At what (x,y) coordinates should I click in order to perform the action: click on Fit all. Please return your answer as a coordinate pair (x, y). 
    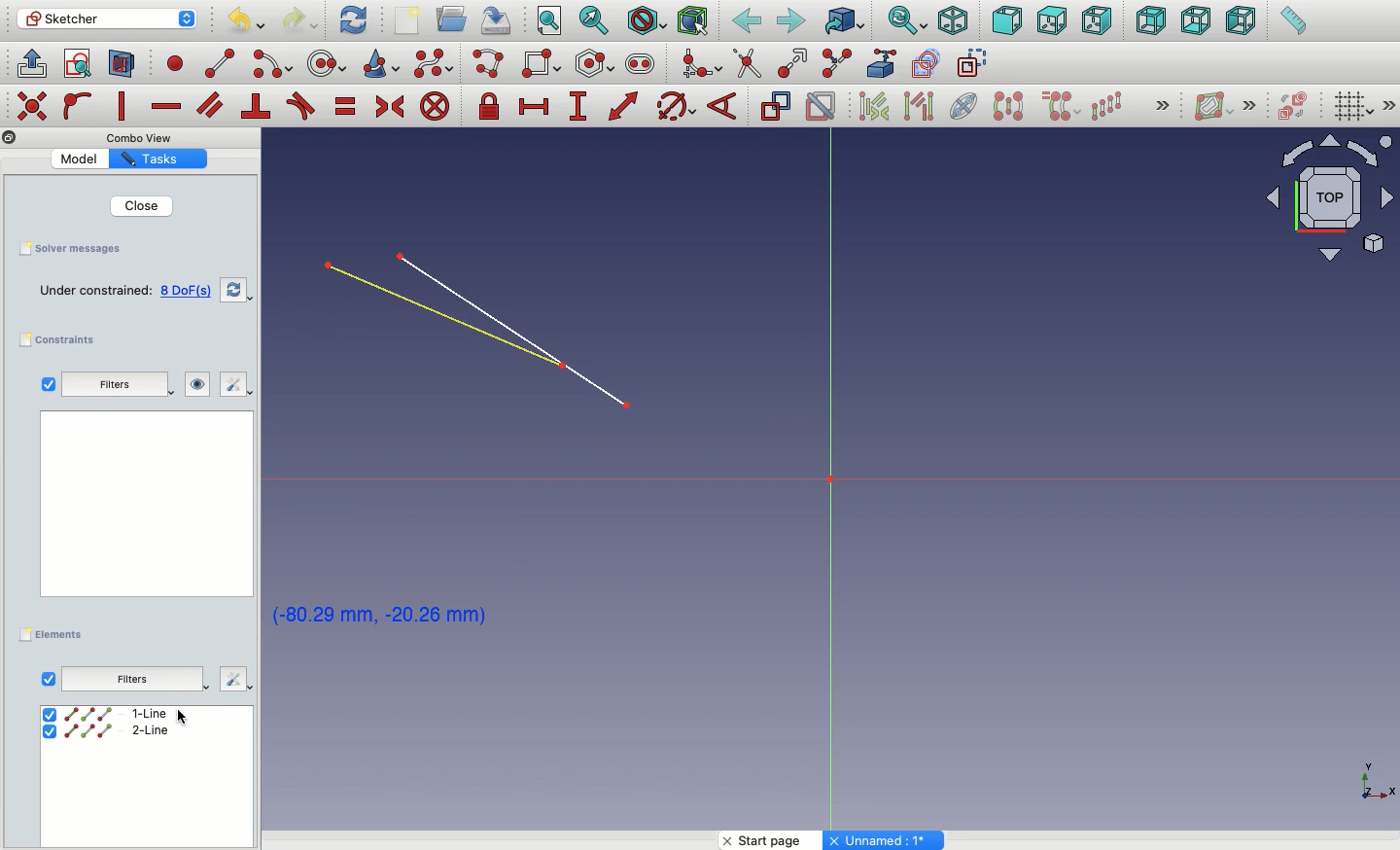
    Looking at the image, I should click on (551, 21).